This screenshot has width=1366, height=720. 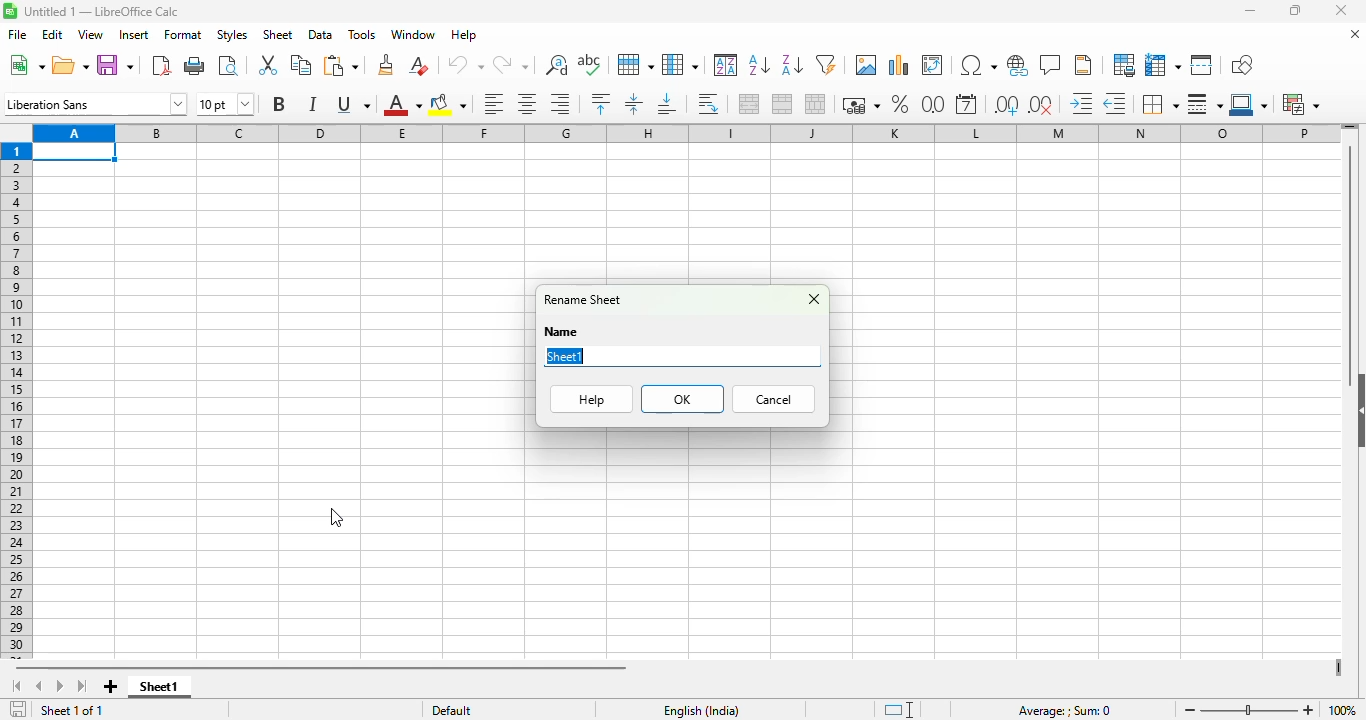 I want to click on border style, so click(x=1205, y=105).